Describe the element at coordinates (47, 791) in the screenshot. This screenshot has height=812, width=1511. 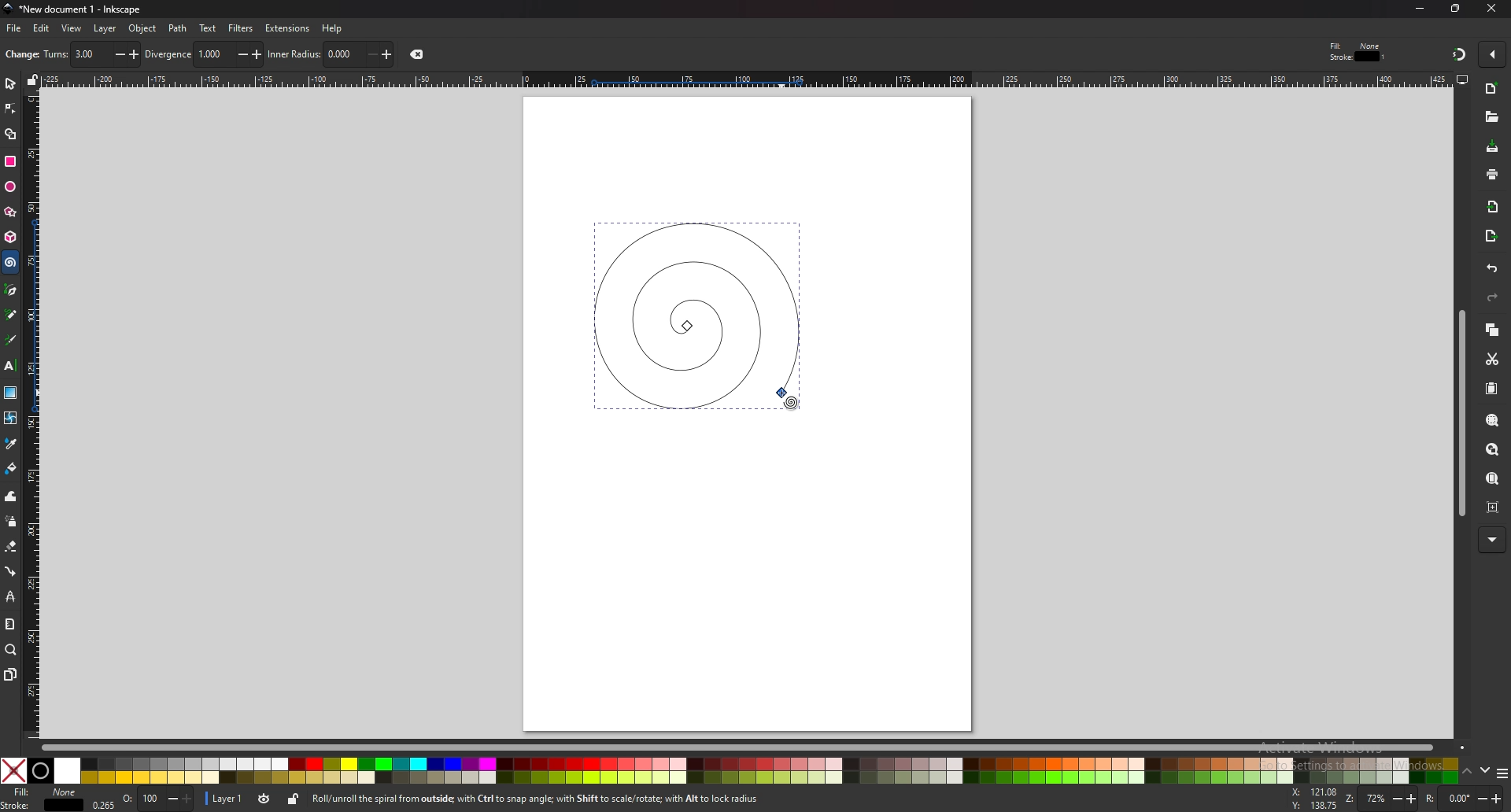
I see `fill: N/A` at that location.